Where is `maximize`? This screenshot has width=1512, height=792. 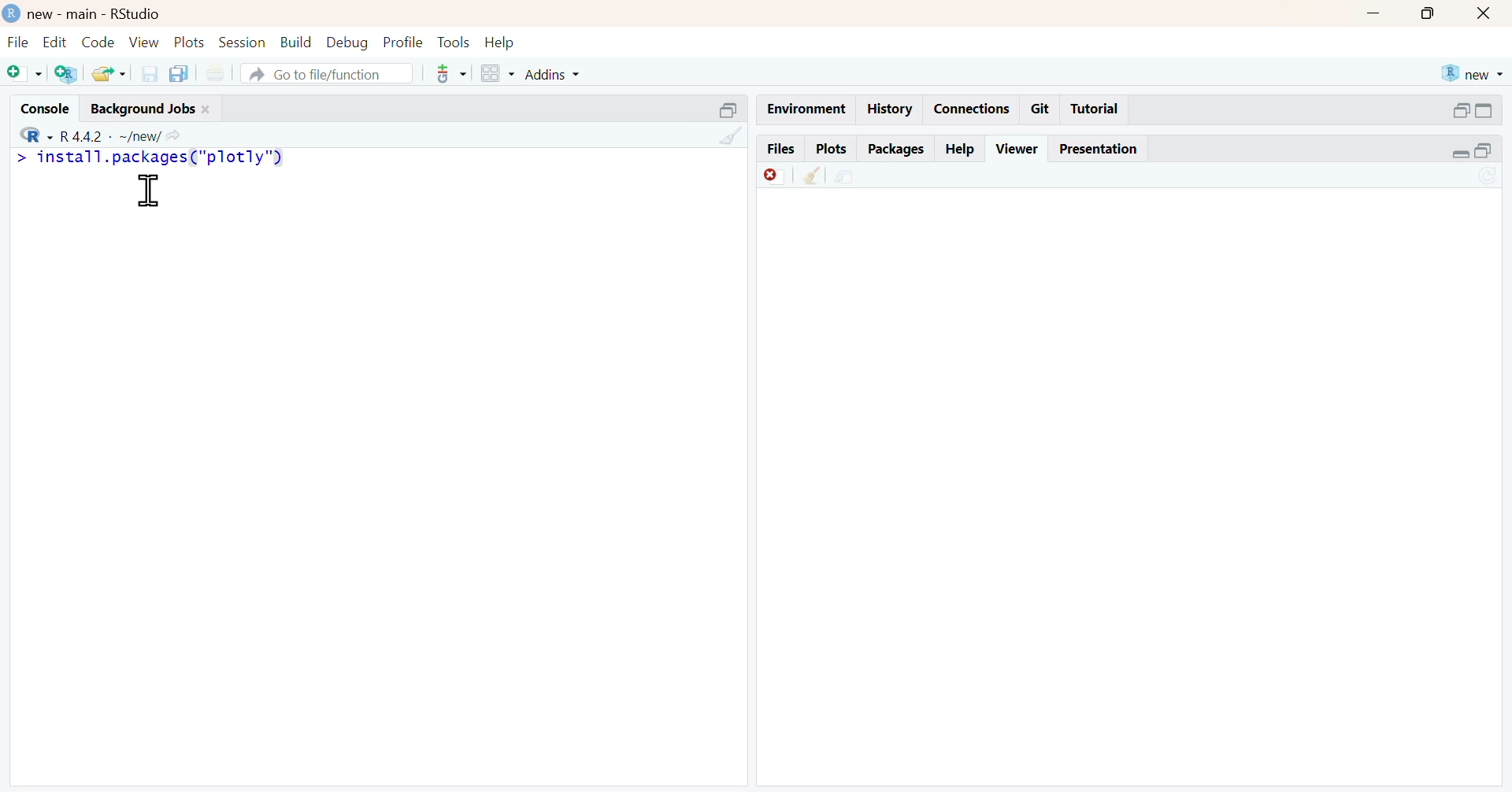
maximize is located at coordinates (726, 109).